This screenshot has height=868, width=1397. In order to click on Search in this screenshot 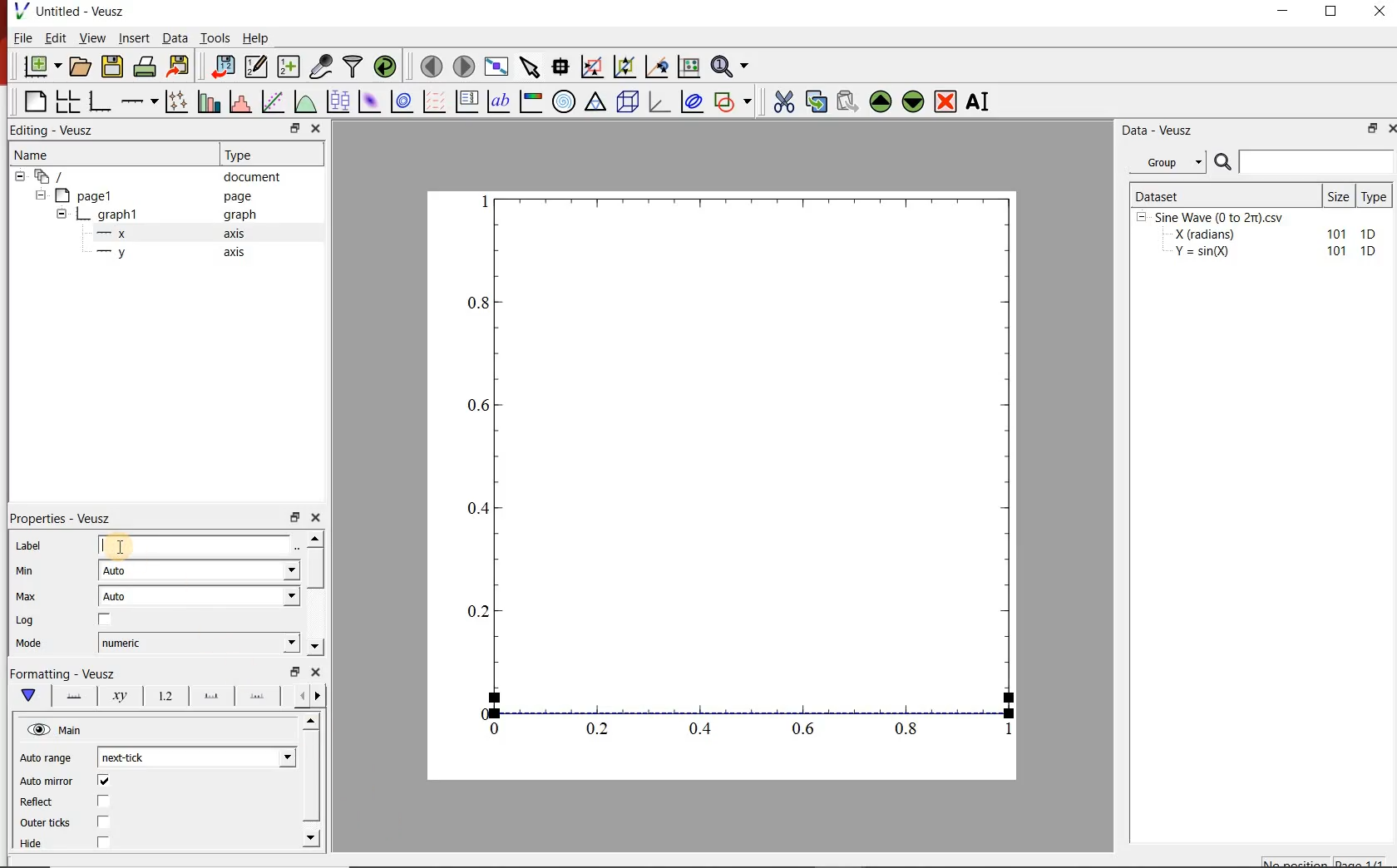, I will do `click(1305, 162)`.